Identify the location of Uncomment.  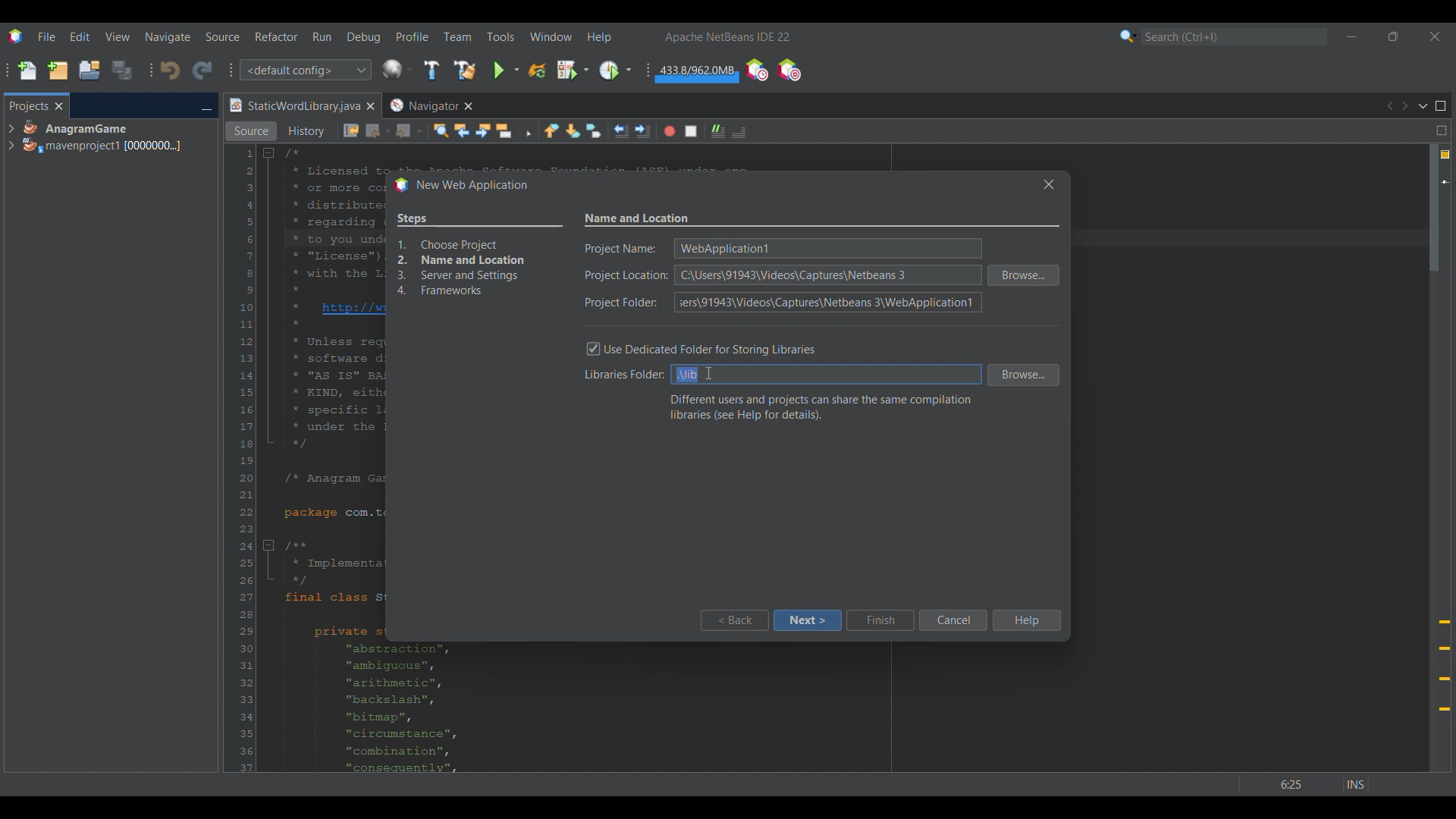
(718, 131).